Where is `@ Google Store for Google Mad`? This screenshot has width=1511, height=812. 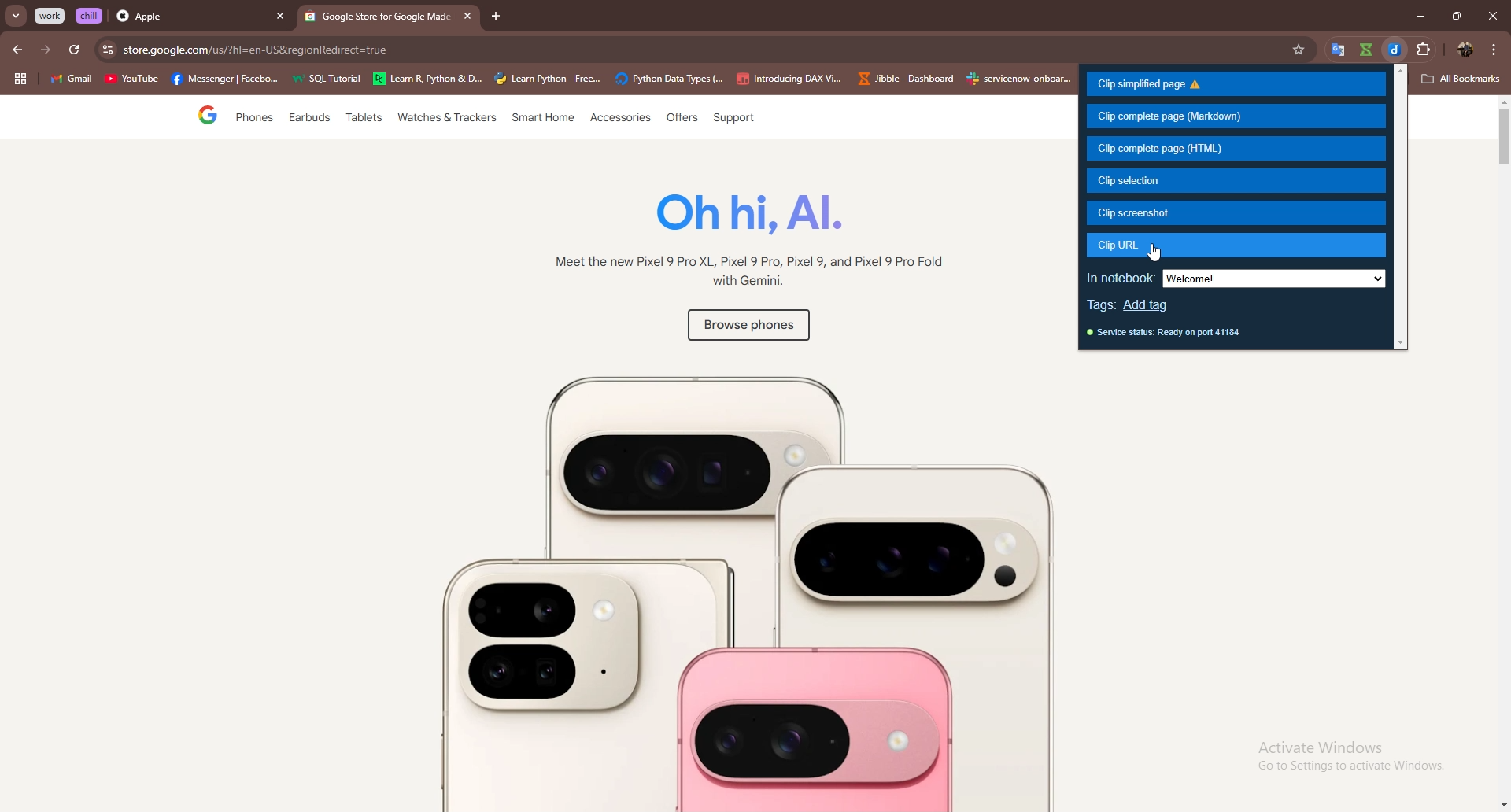 @ Google Store for Google Mad is located at coordinates (378, 20).